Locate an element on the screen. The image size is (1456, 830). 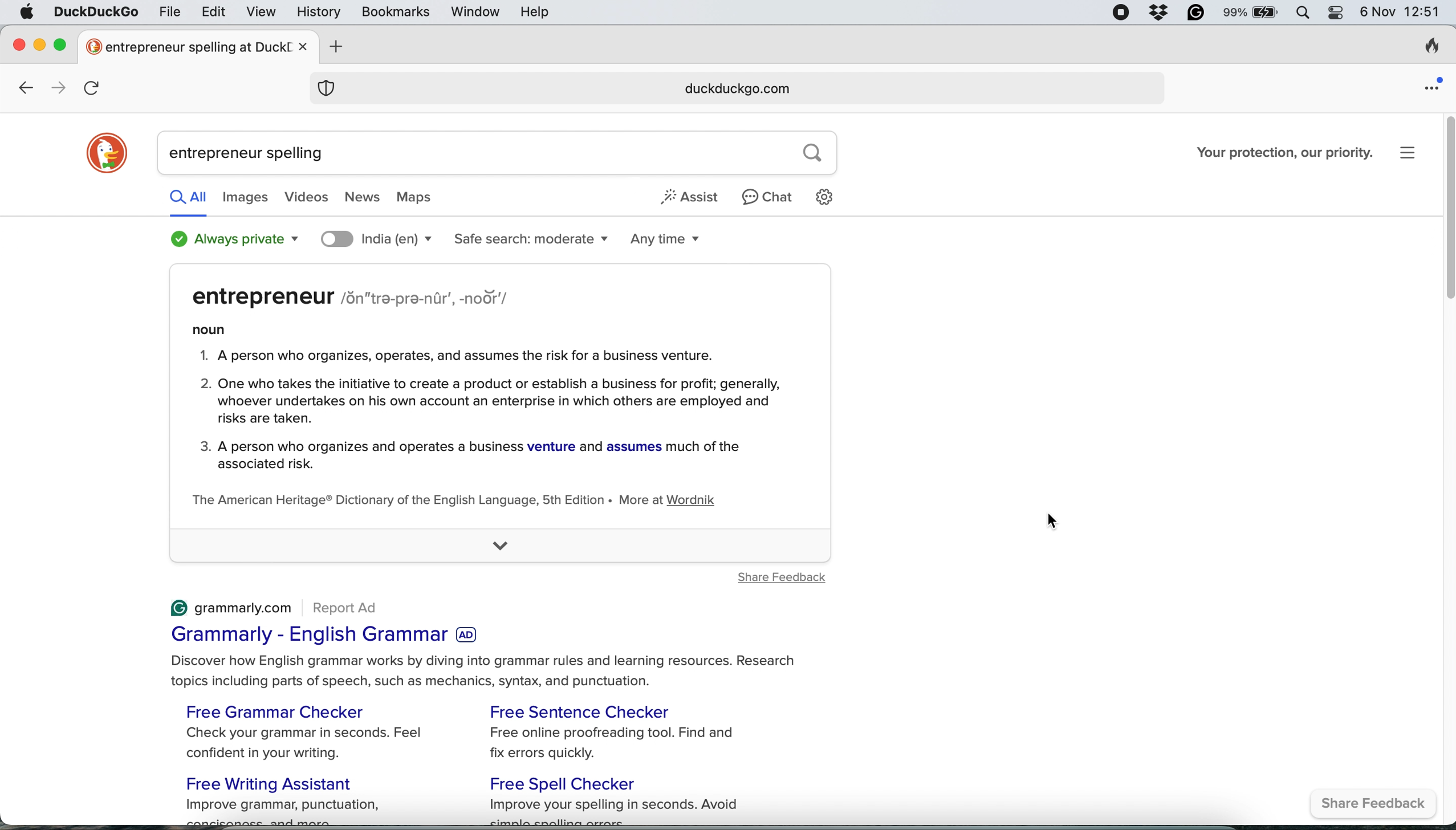
maximize is located at coordinates (64, 44).